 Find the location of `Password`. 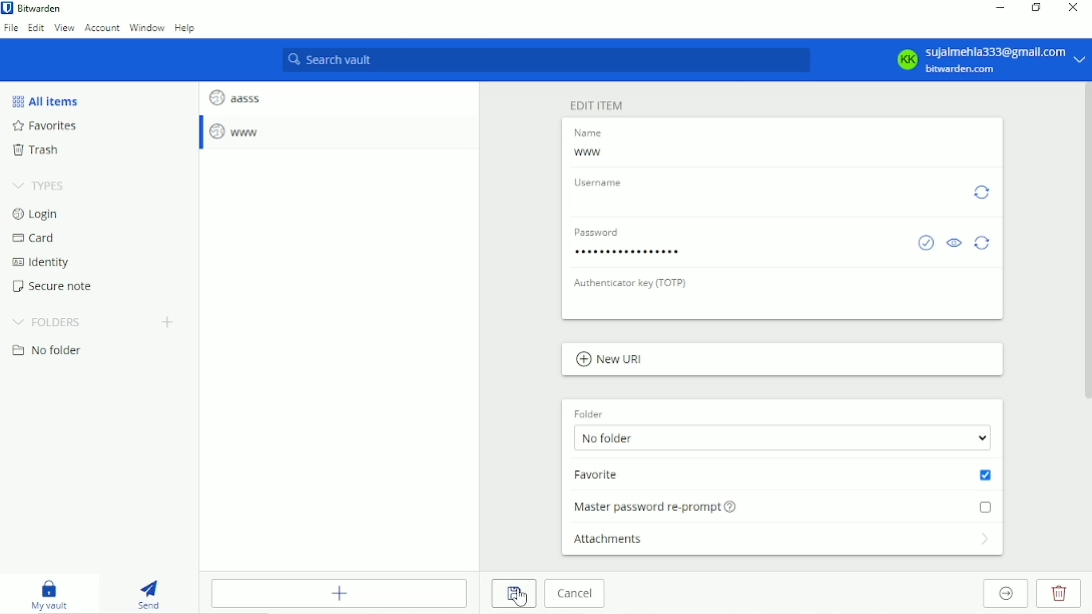

Password is located at coordinates (602, 233).